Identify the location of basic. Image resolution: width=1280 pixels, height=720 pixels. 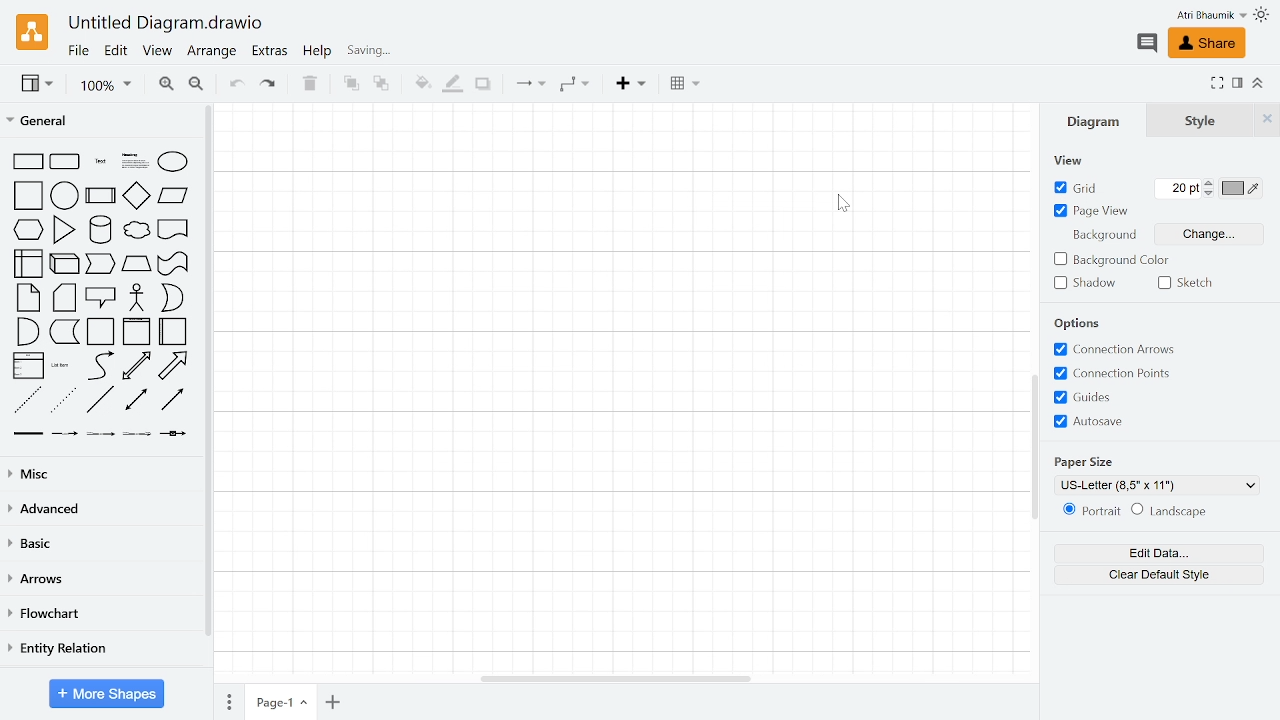
(101, 543).